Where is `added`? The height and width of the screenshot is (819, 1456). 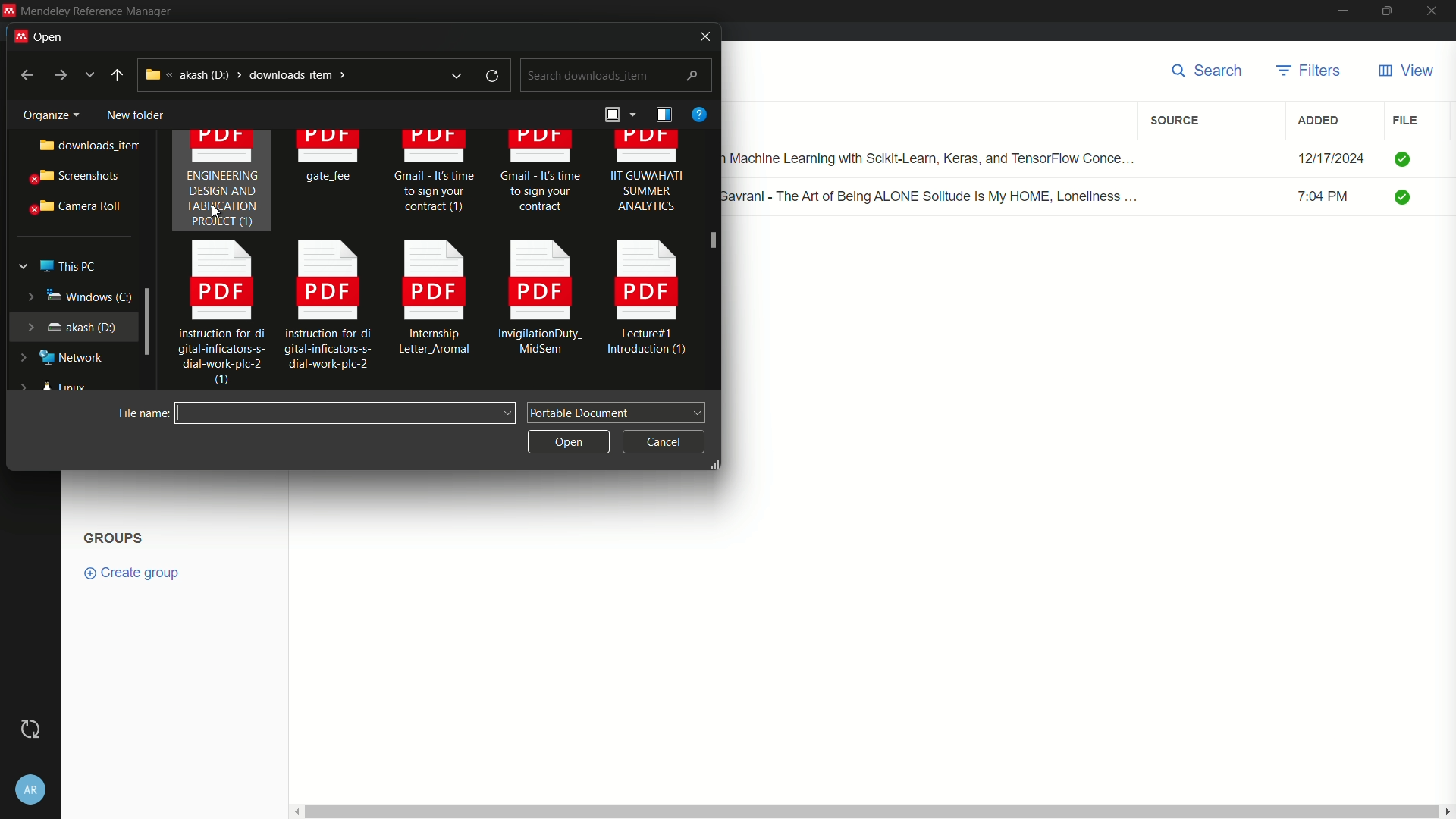
added is located at coordinates (1319, 121).